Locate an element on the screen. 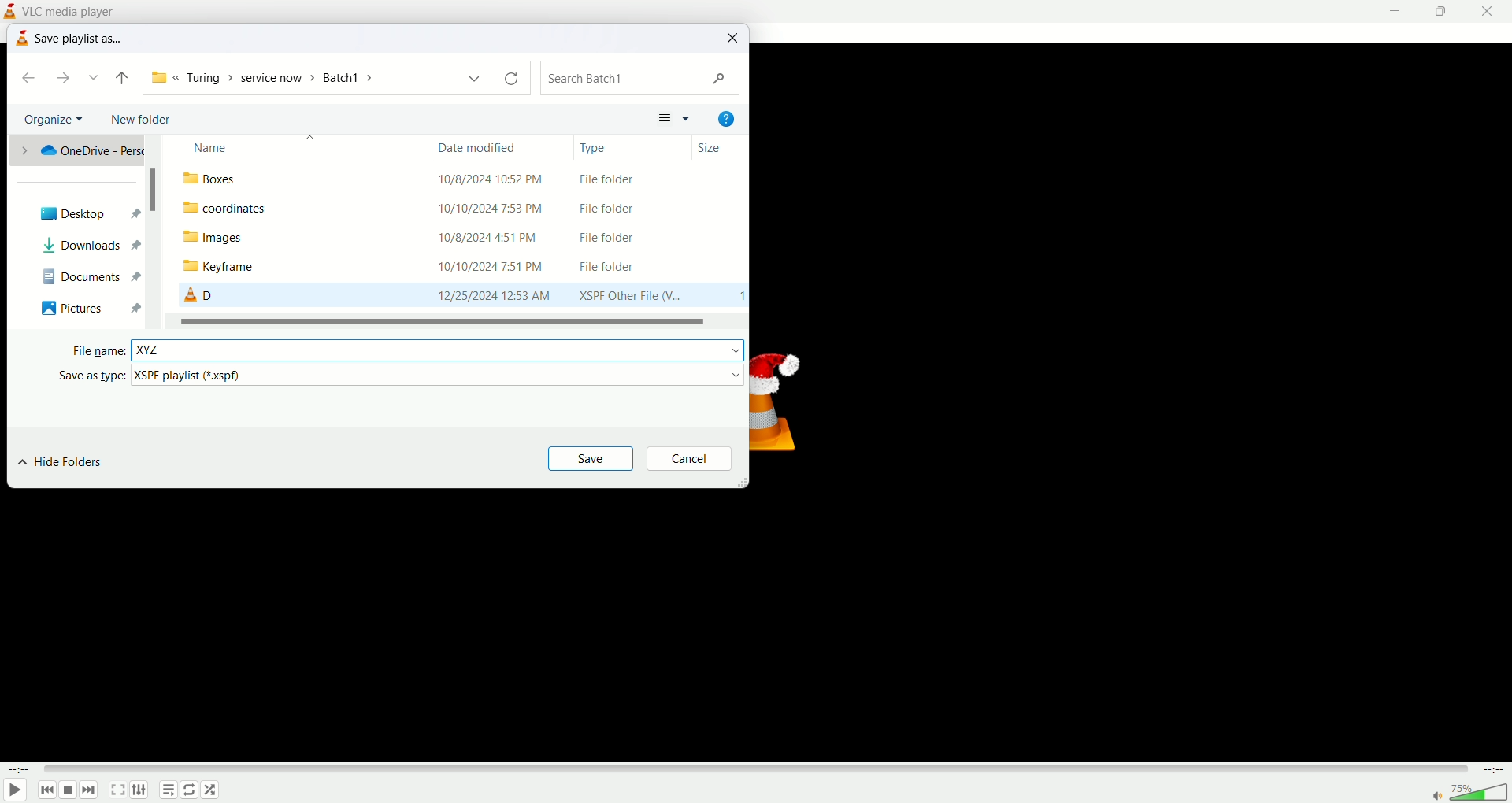 The height and width of the screenshot is (803, 1512). file name is located at coordinates (95, 351).